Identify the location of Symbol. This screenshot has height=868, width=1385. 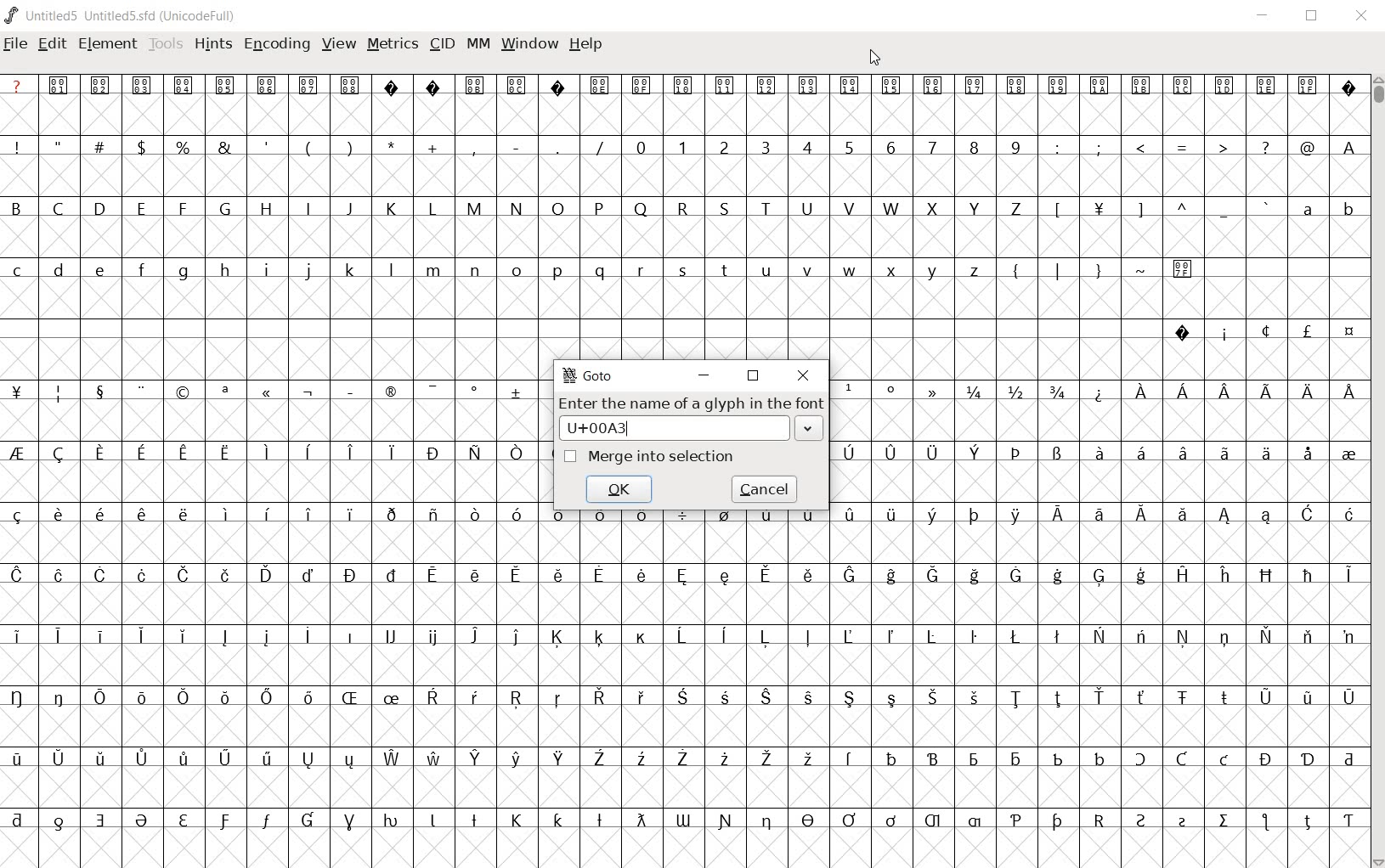
(1015, 821).